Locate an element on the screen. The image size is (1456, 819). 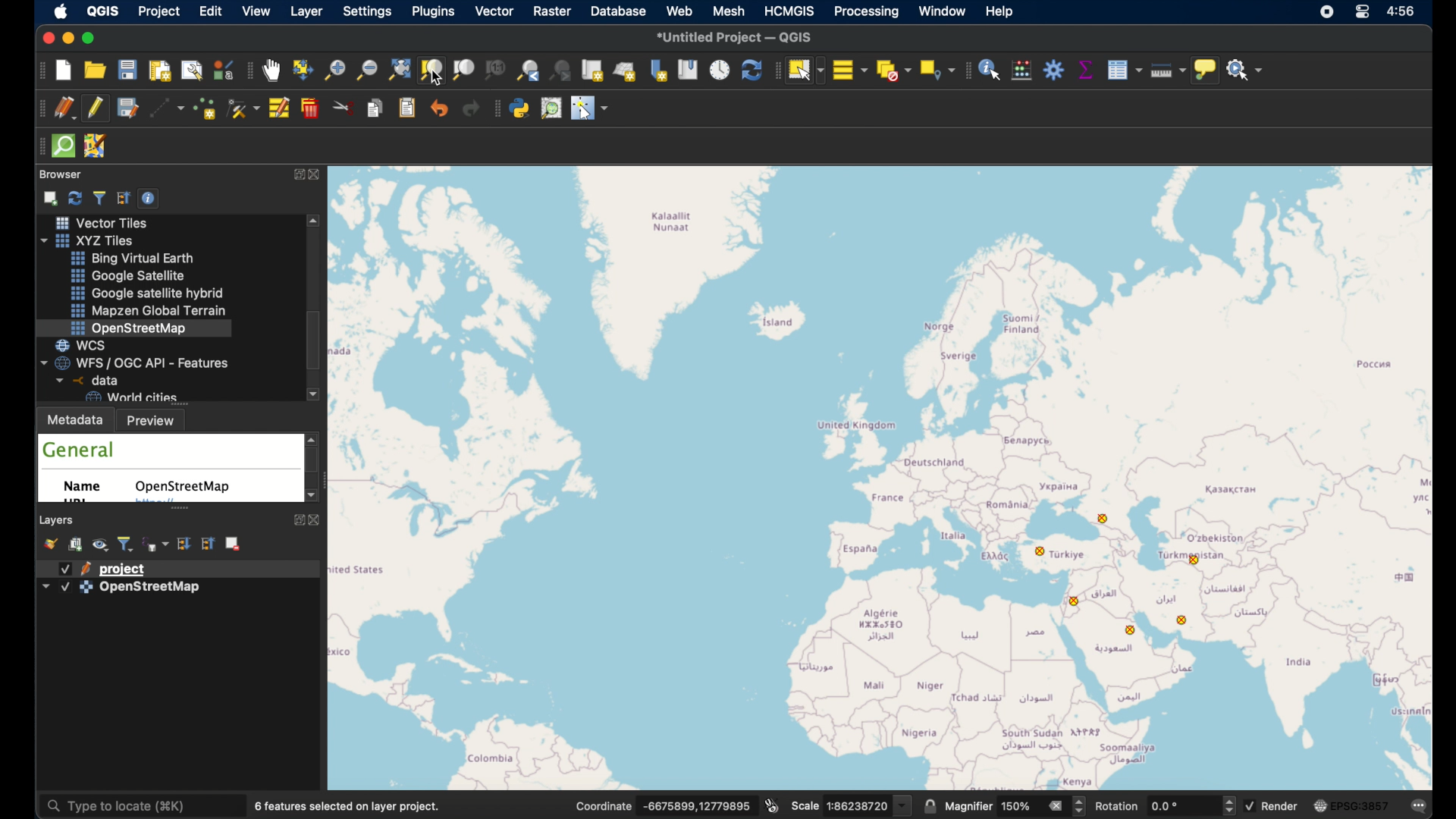
switches the mouse cursor to a configurable pointer is located at coordinates (590, 108).